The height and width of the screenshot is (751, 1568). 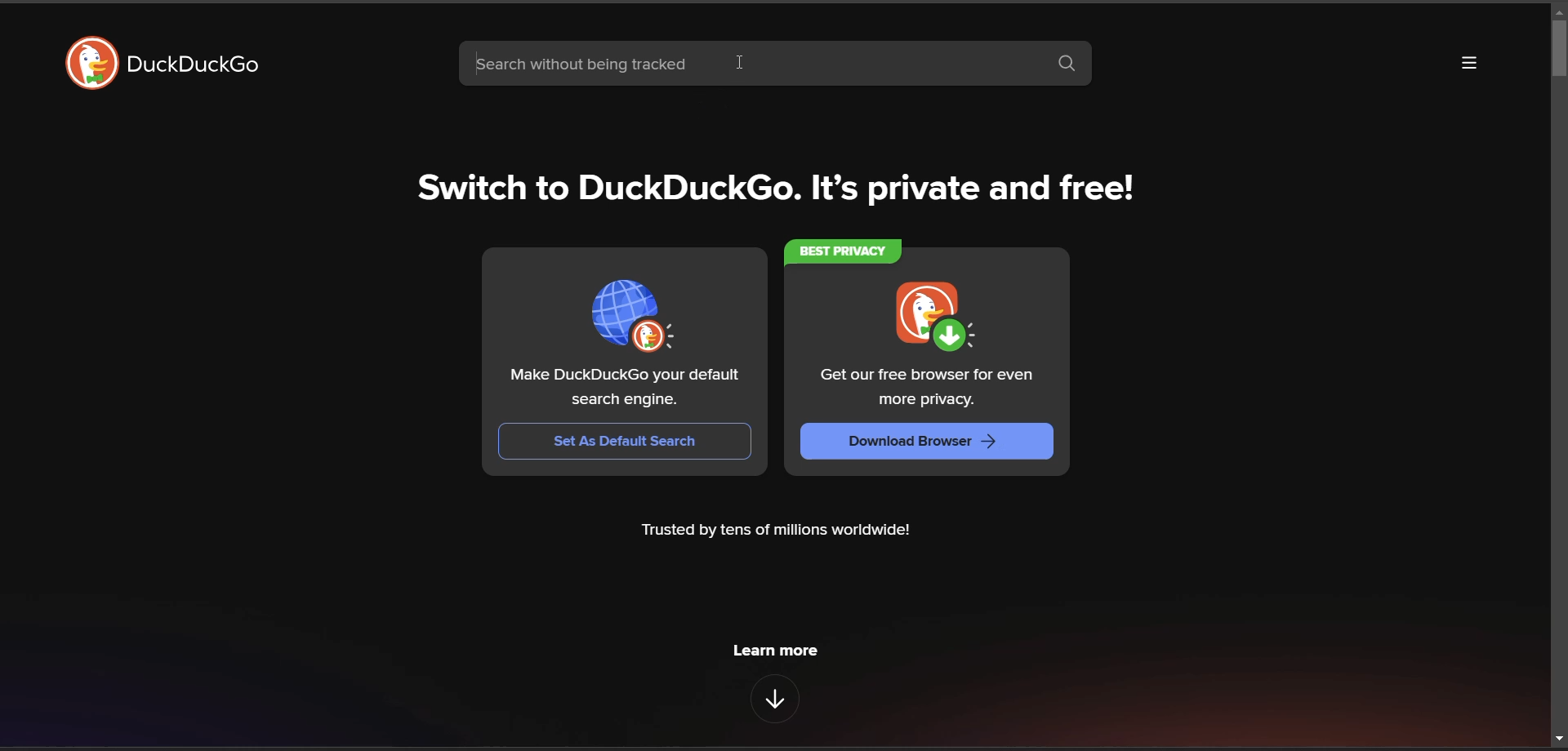 What do you see at coordinates (778, 533) in the screenshot?
I see `Trusted by tens of millions worldwide!` at bounding box center [778, 533].